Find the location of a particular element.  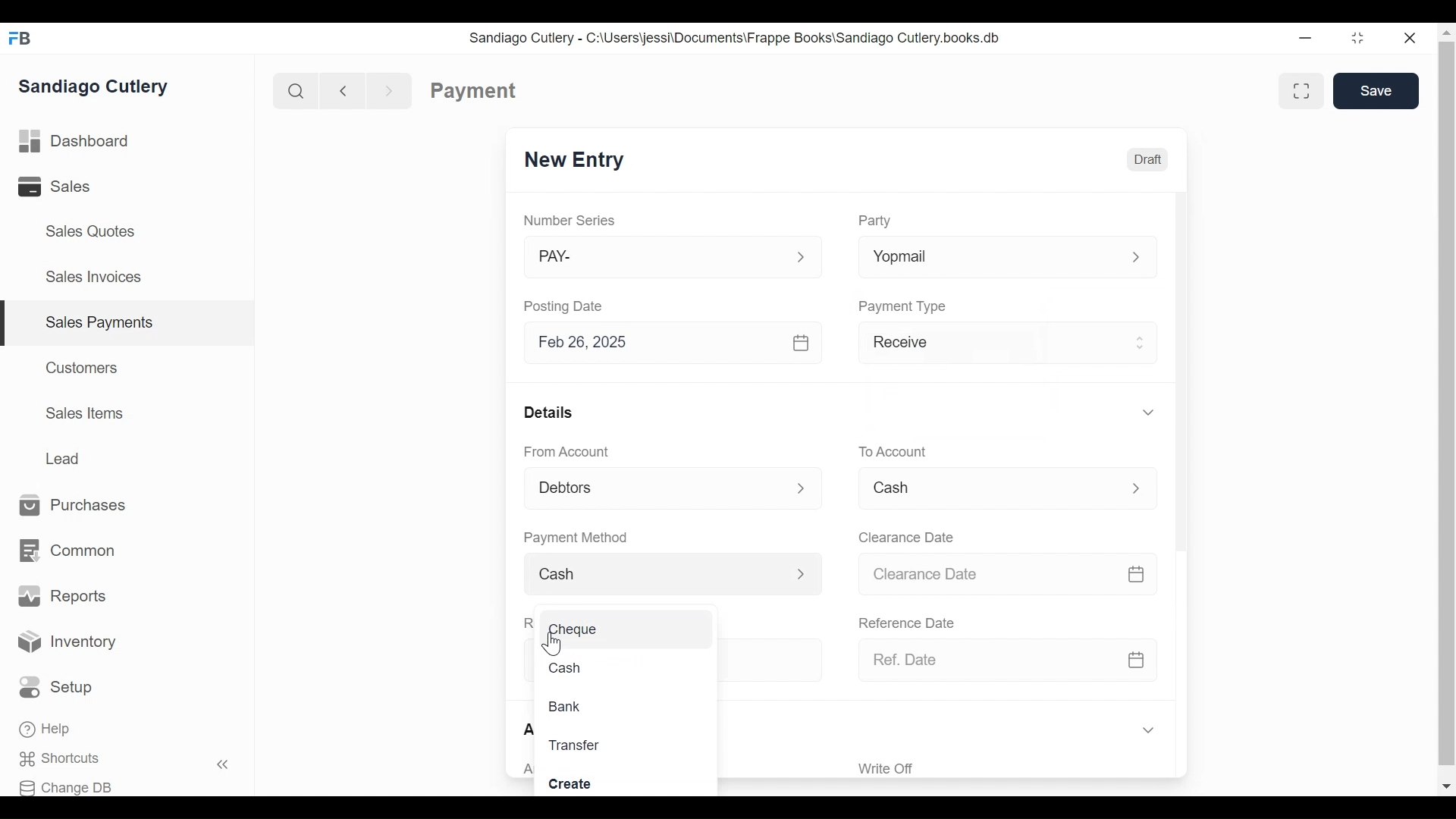

Inventory is located at coordinates (68, 642).